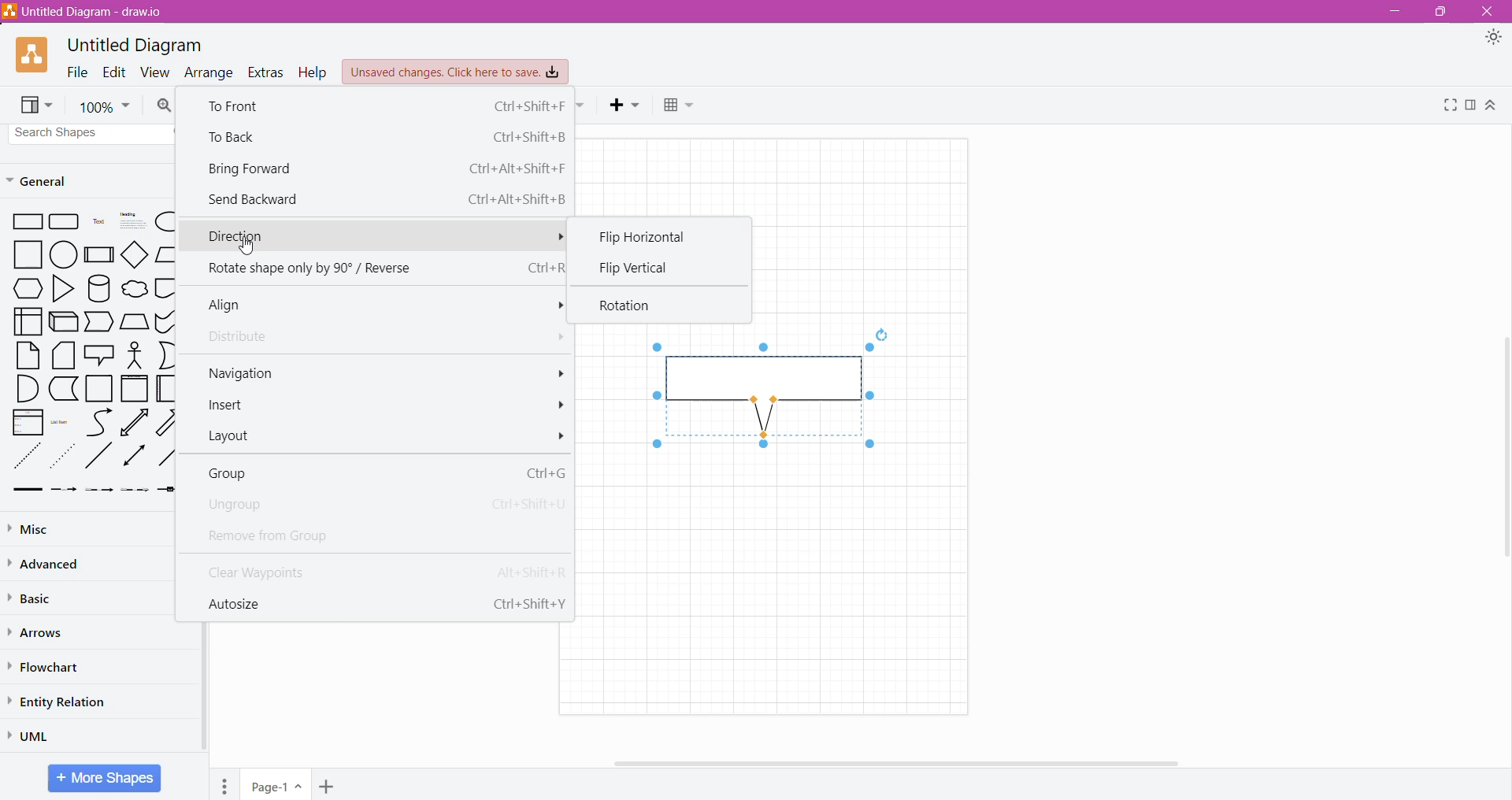  What do you see at coordinates (236, 438) in the screenshot?
I see `Layout` at bounding box center [236, 438].